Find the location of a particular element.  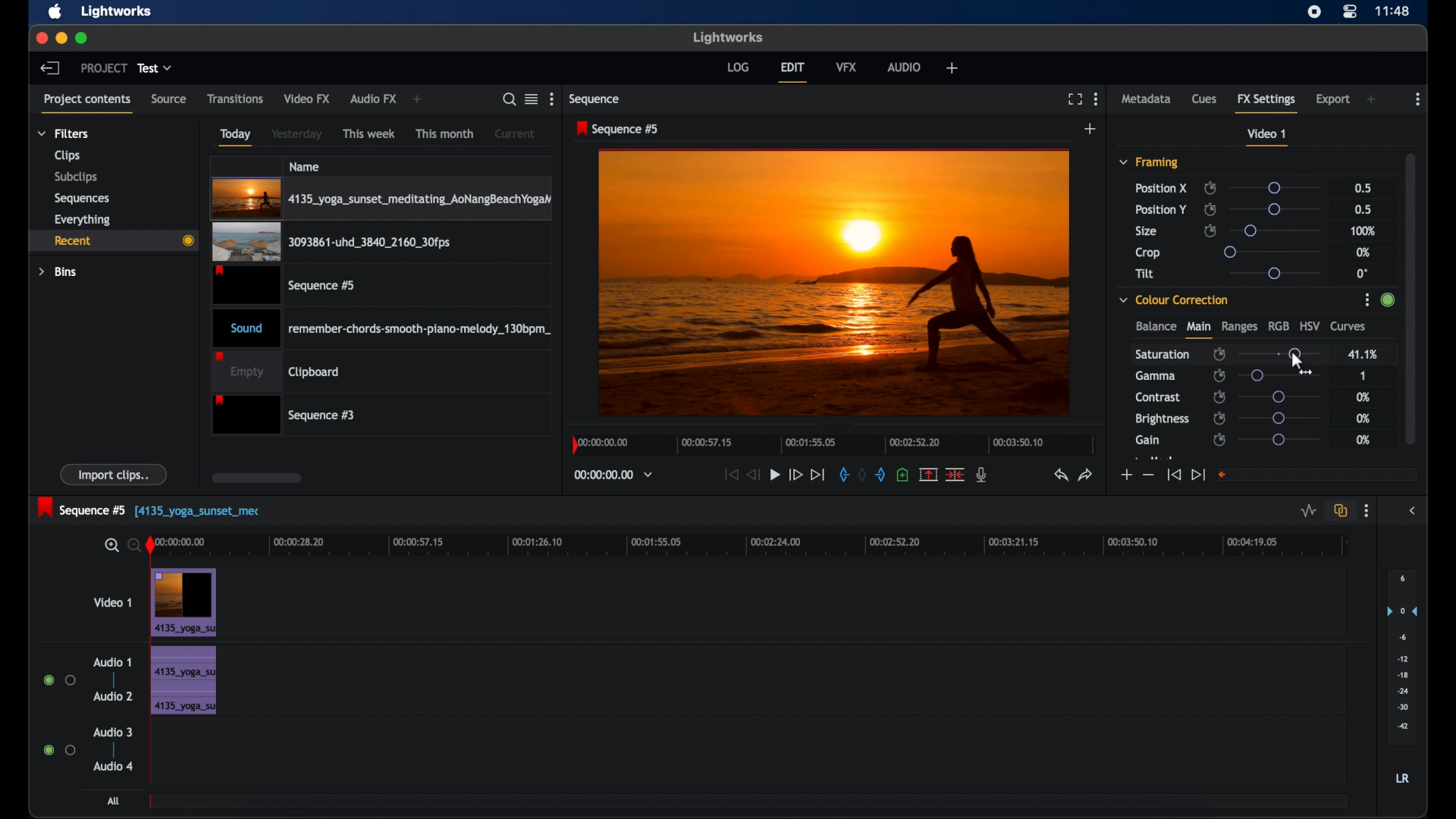

tilt is located at coordinates (1145, 274).